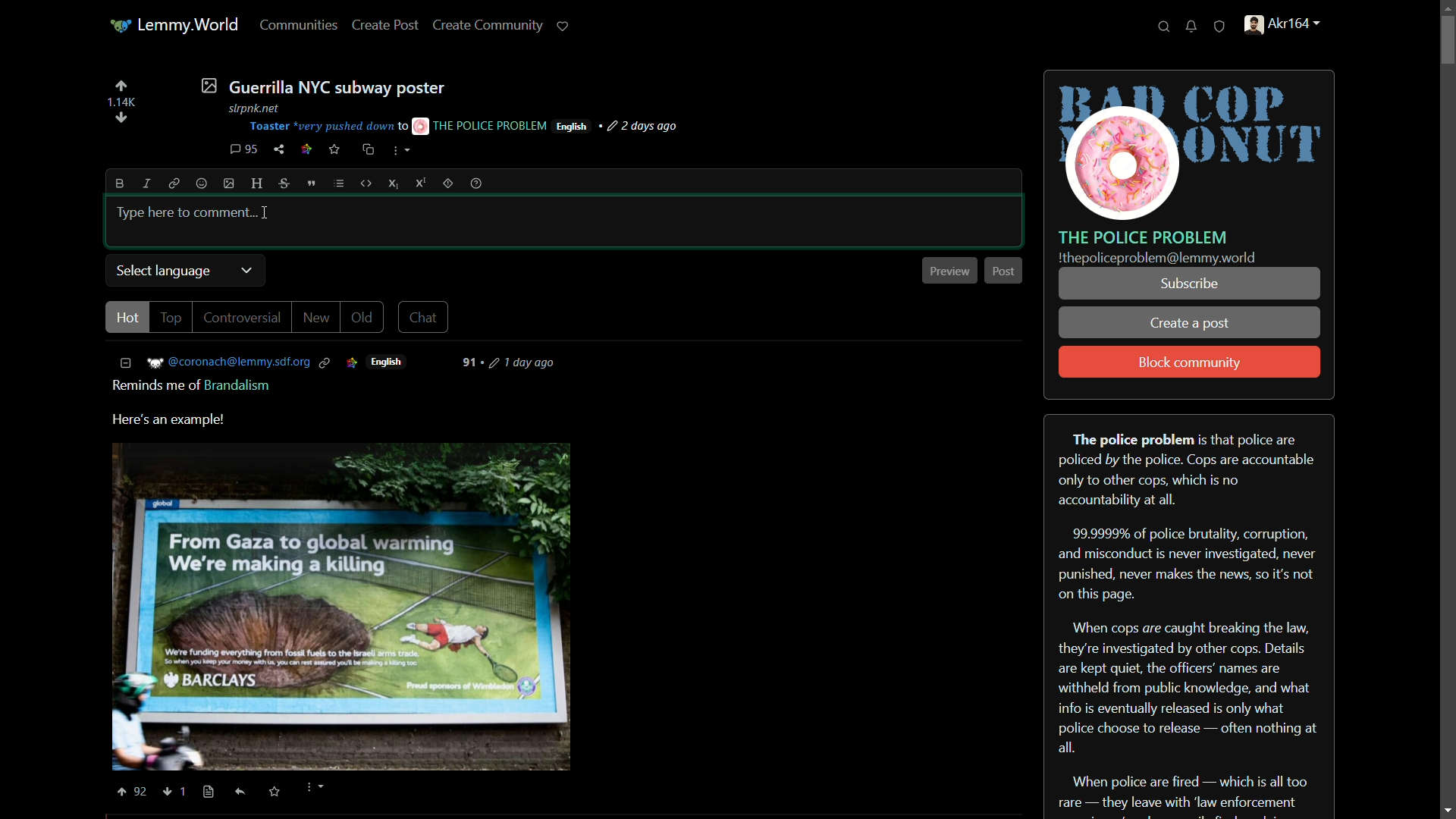 The height and width of the screenshot is (819, 1456). Describe the element at coordinates (491, 24) in the screenshot. I see `create community ` at that location.